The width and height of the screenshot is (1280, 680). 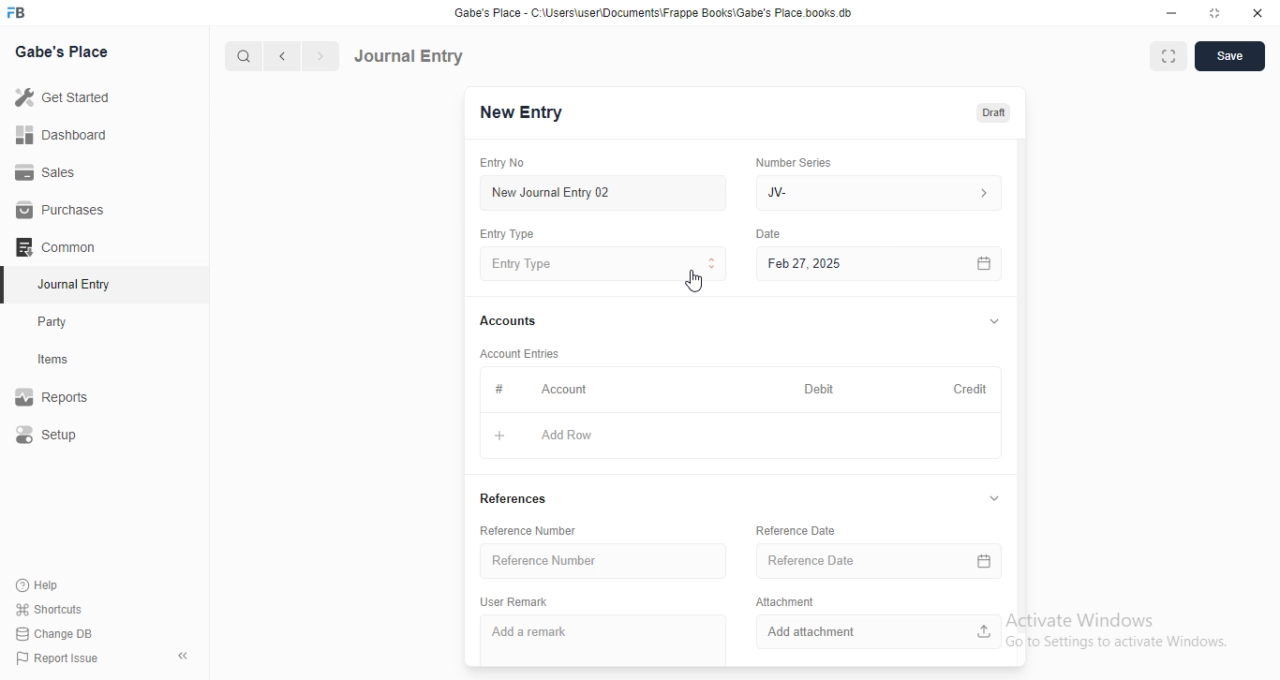 What do you see at coordinates (518, 353) in the screenshot?
I see `Account entries` at bounding box center [518, 353].